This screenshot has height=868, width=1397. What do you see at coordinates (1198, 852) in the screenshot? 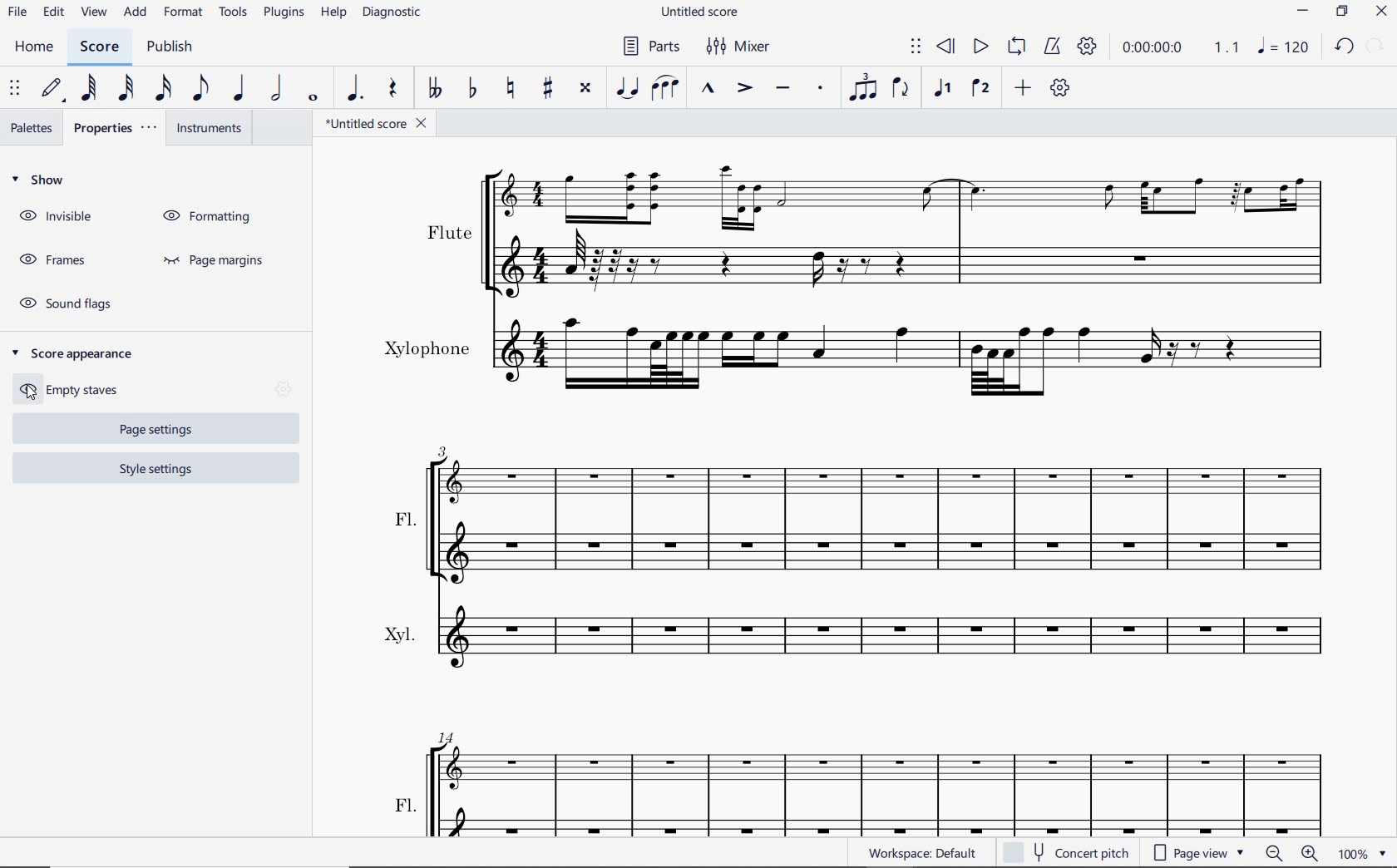
I see `page view` at bounding box center [1198, 852].